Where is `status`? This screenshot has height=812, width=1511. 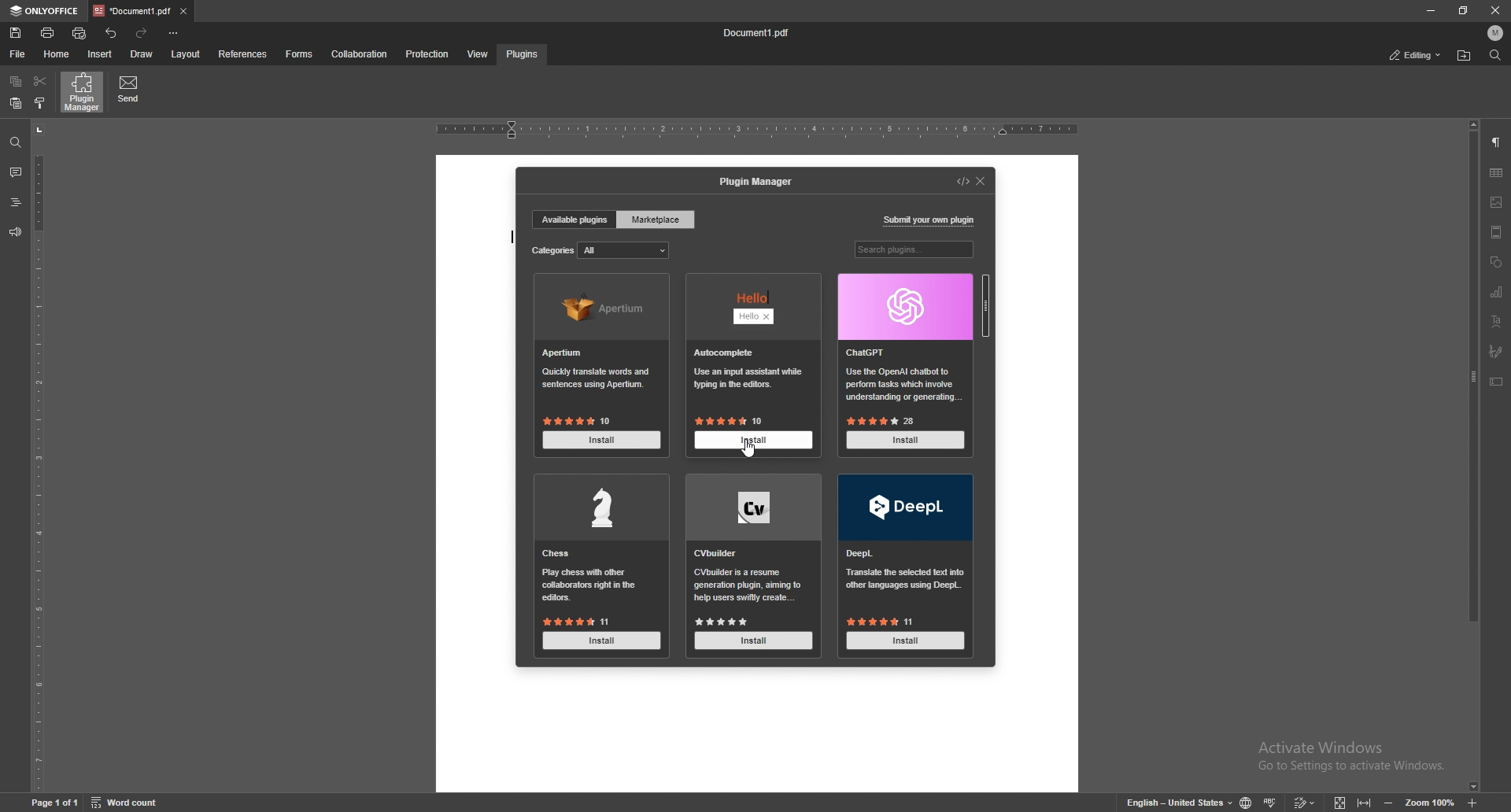
status is located at coordinates (1417, 54).